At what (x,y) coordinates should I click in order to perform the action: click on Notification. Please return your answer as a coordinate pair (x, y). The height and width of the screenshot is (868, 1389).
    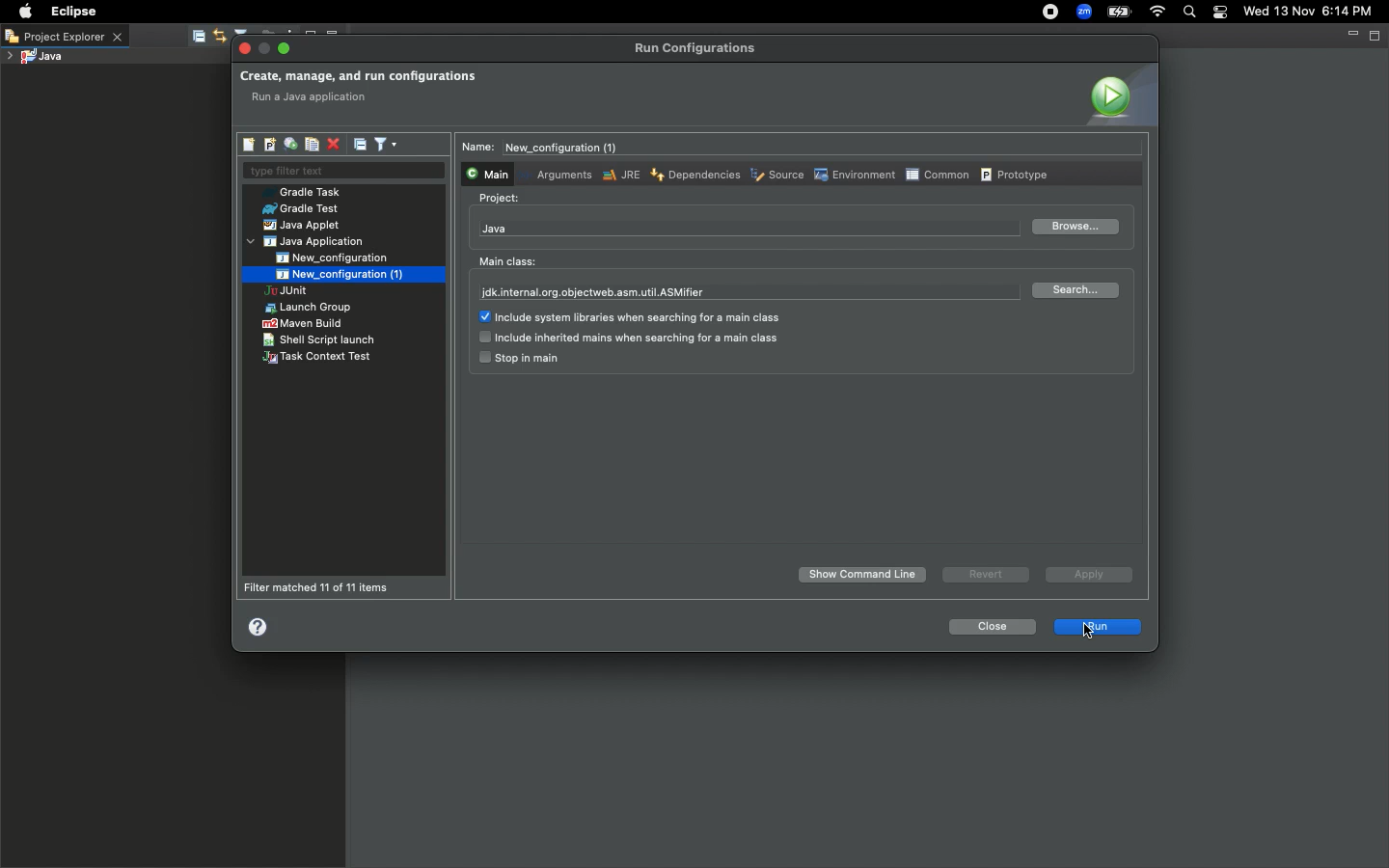
    Looking at the image, I should click on (1221, 13).